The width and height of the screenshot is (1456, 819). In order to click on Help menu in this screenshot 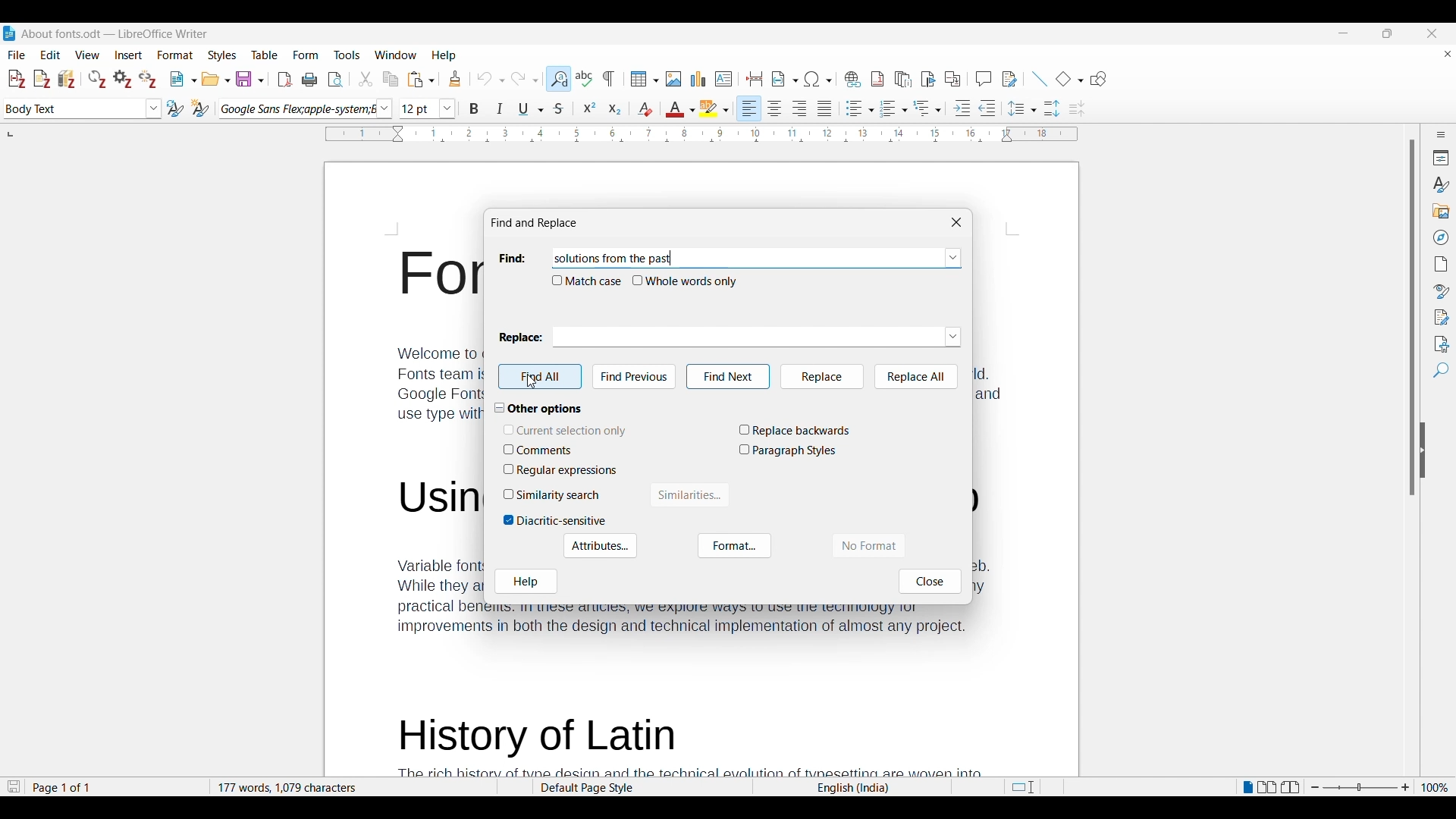, I will do `click(444, 55)`.